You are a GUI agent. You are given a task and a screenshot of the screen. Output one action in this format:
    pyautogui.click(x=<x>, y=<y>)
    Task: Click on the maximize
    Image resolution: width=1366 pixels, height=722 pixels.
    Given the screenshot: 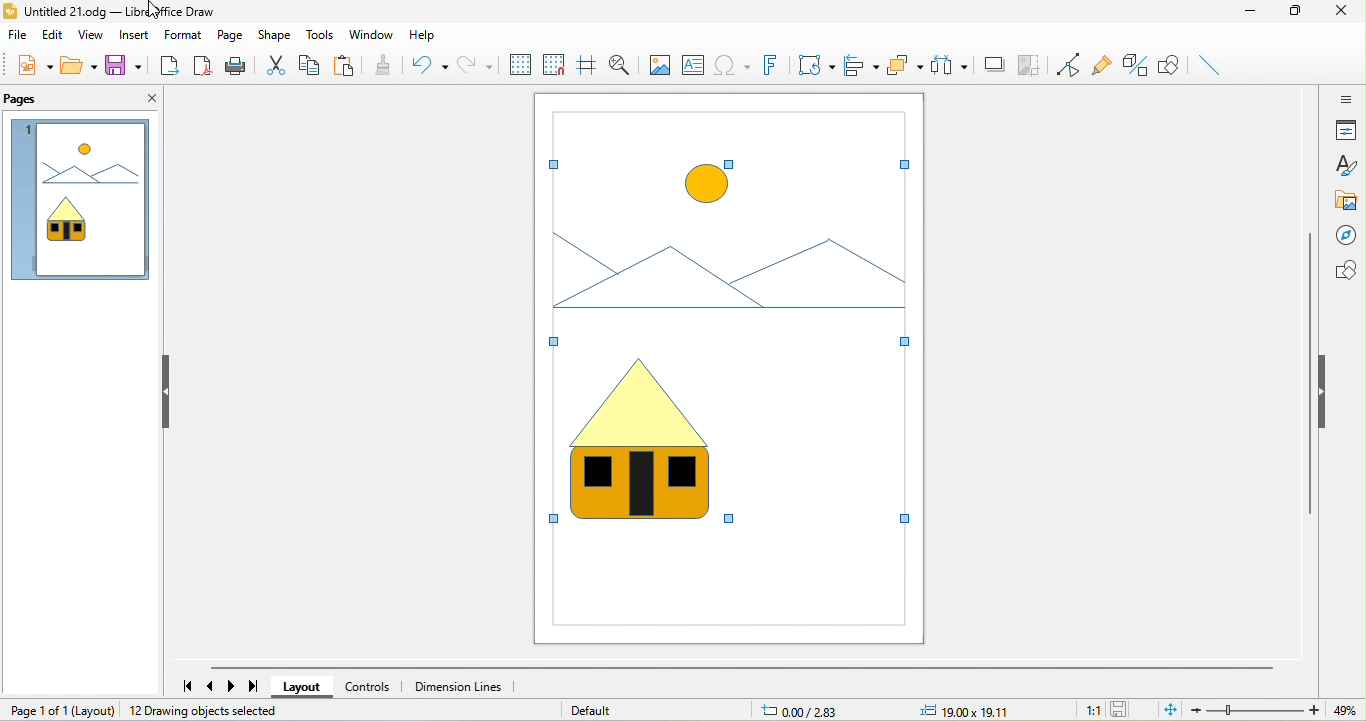 What is the action you would take?
    pyautogui.click(x=1293, y=15)
    